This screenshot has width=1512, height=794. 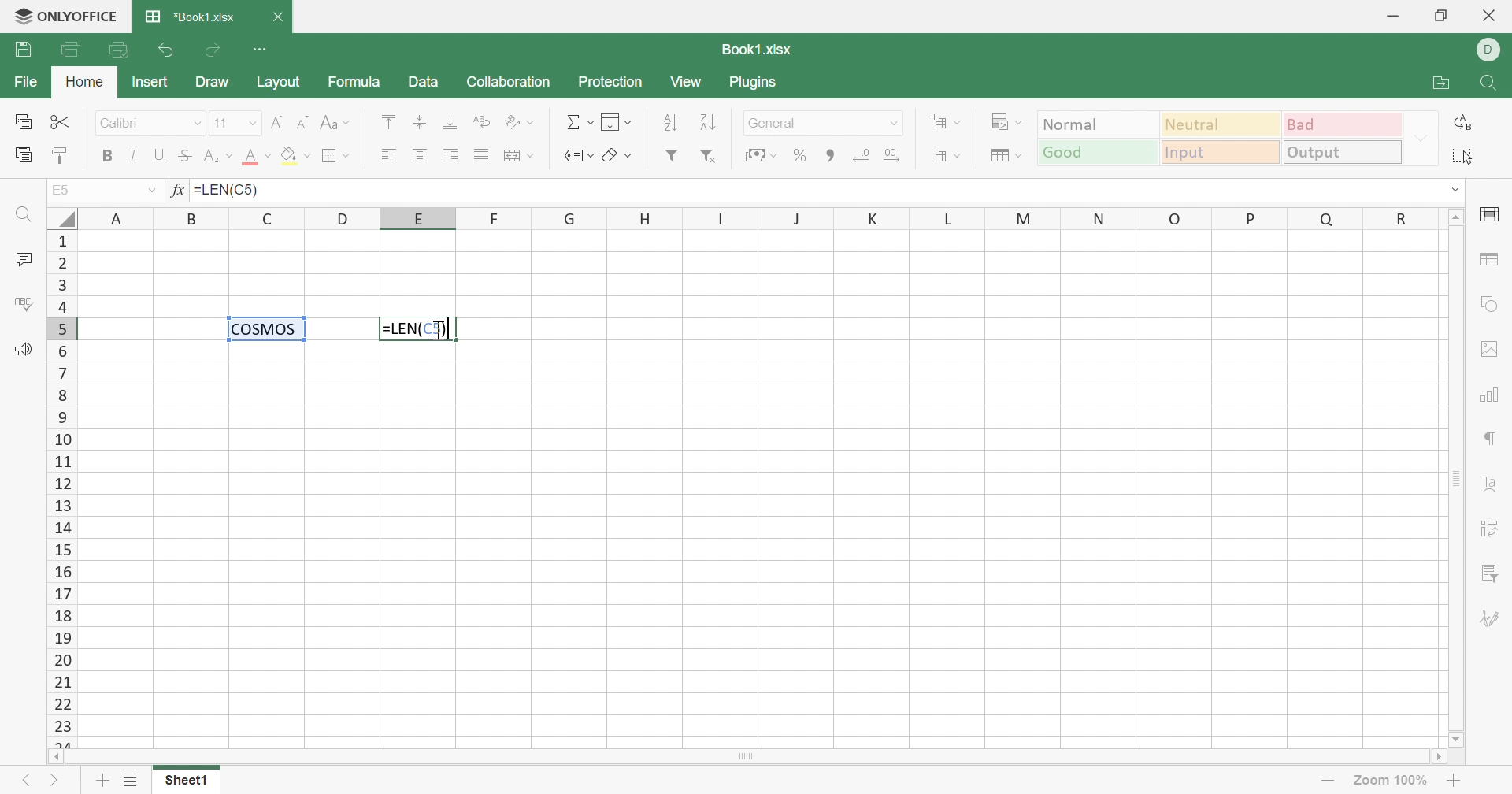 I want to click on Merge and center, so click(x=518, y=154).